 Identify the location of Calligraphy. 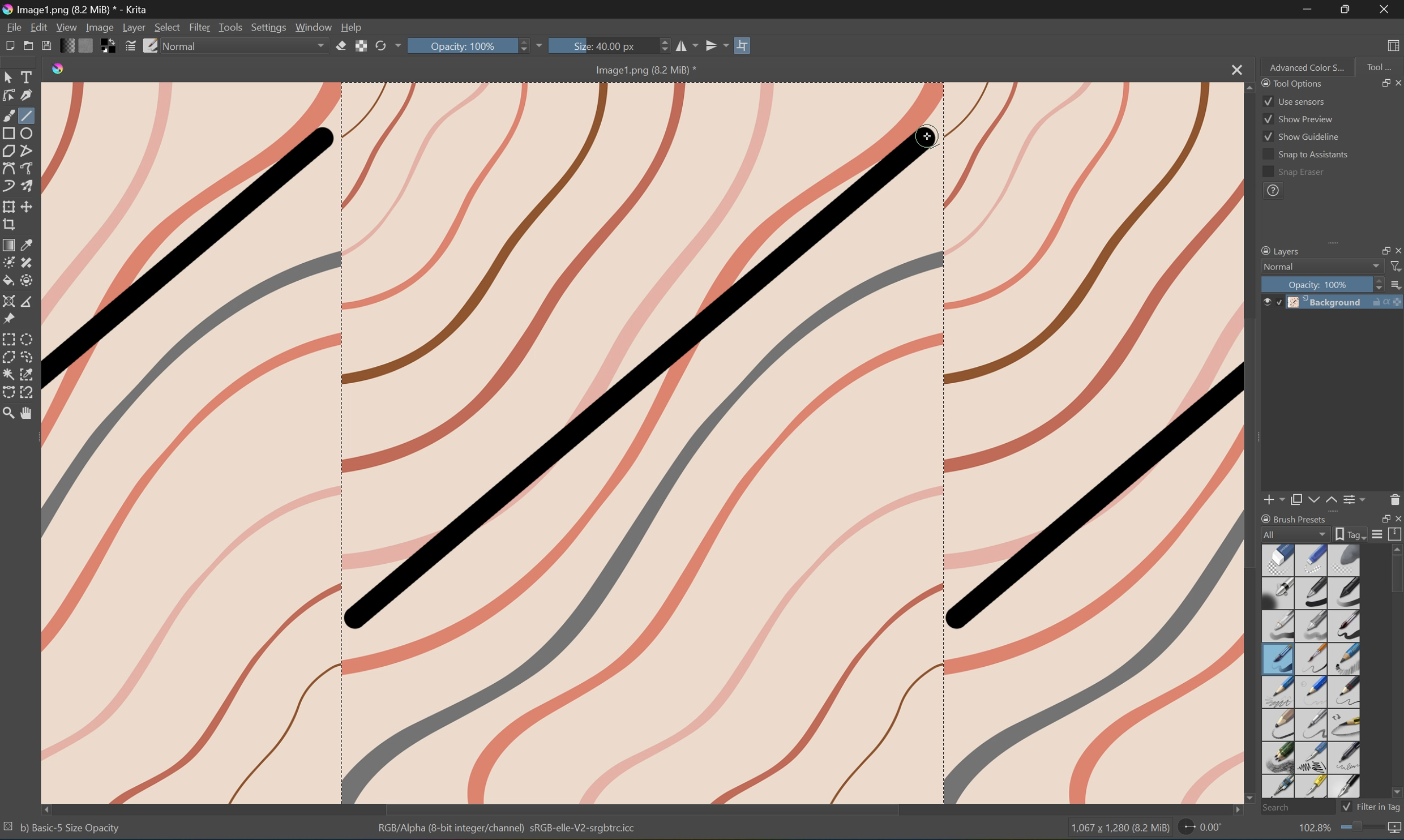
(27, 95).